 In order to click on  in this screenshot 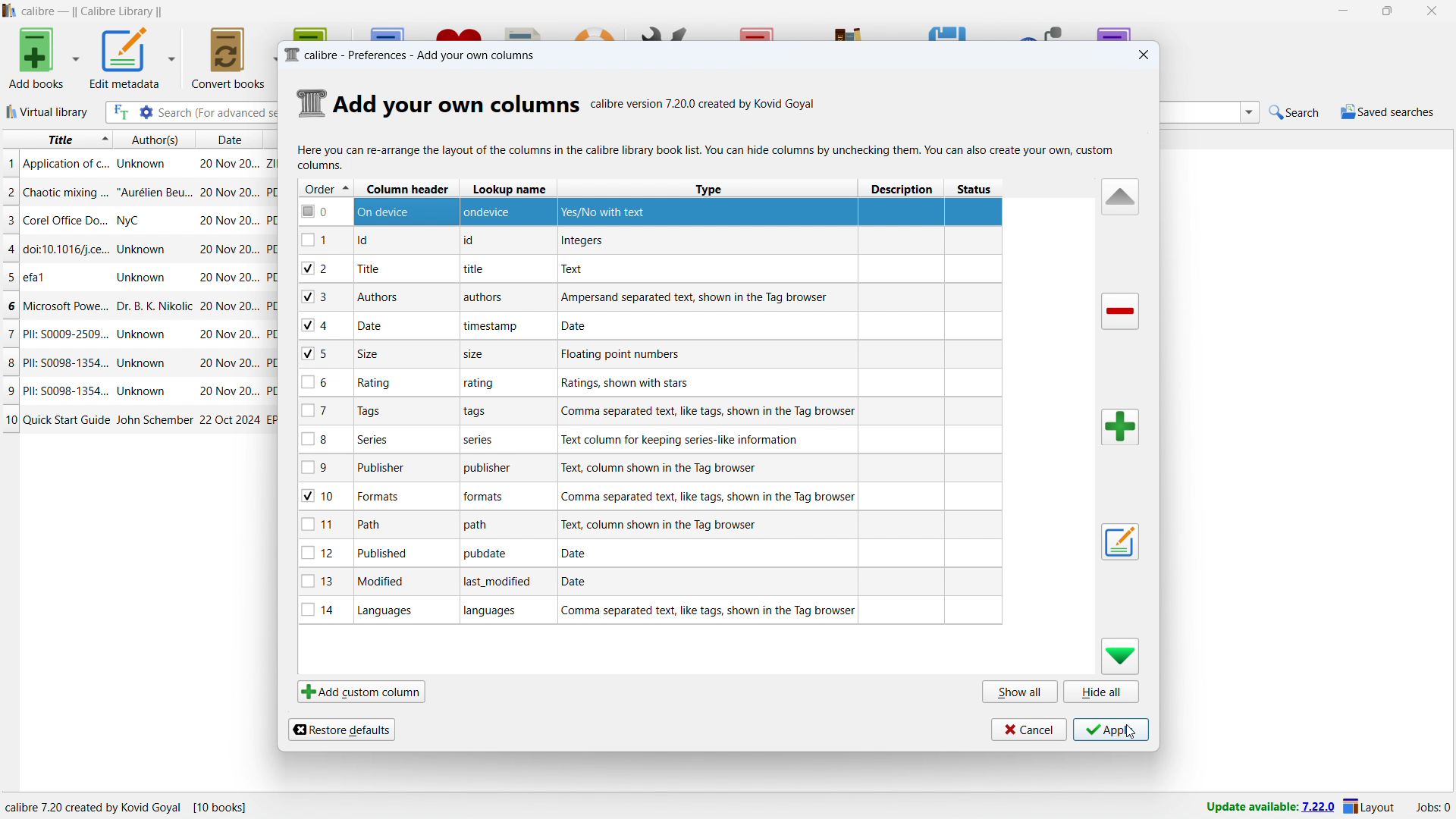, I will do `click(125, 58)`.